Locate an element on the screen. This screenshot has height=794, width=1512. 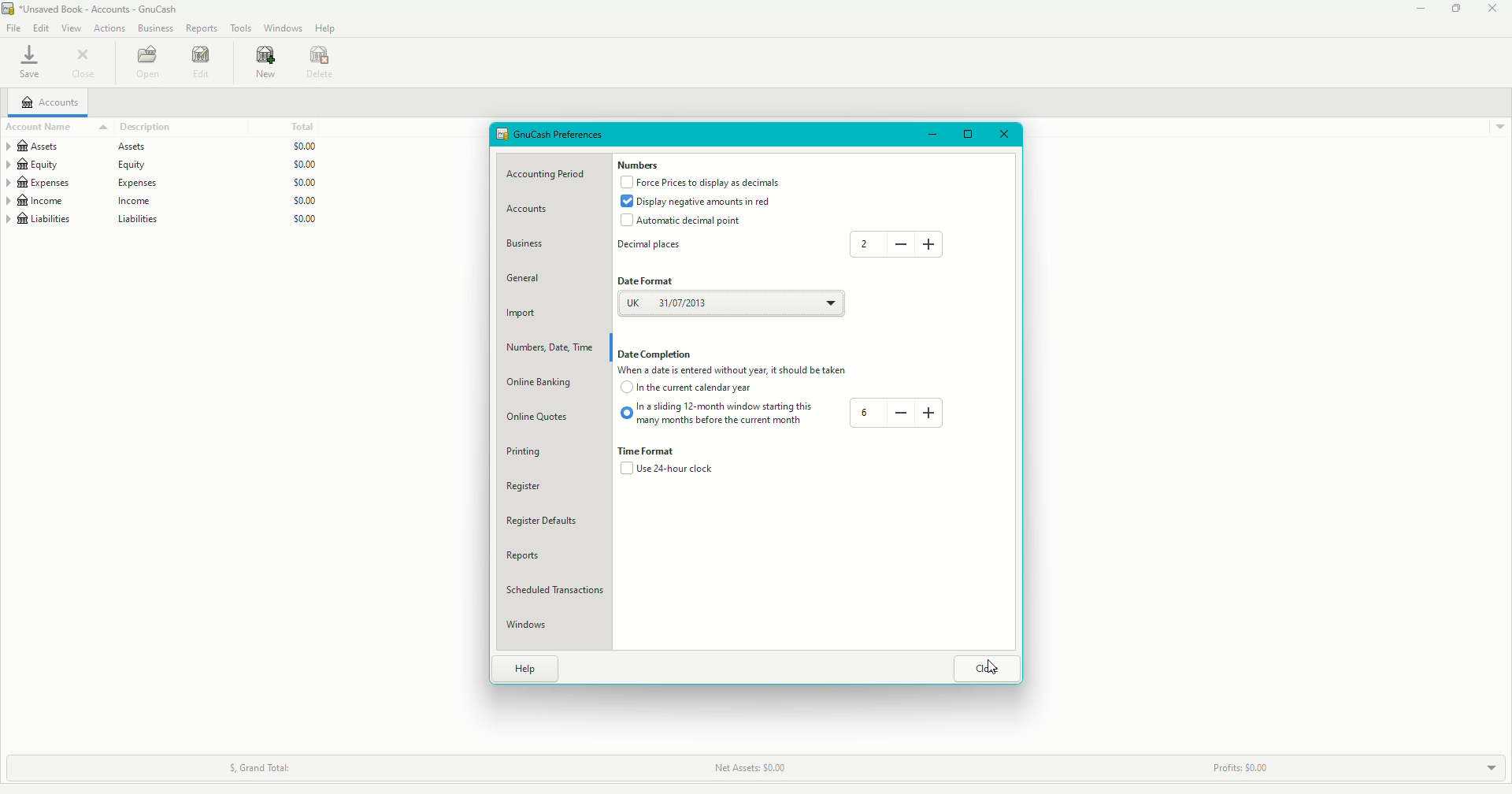
Minus is located at coordinates (899, 412).